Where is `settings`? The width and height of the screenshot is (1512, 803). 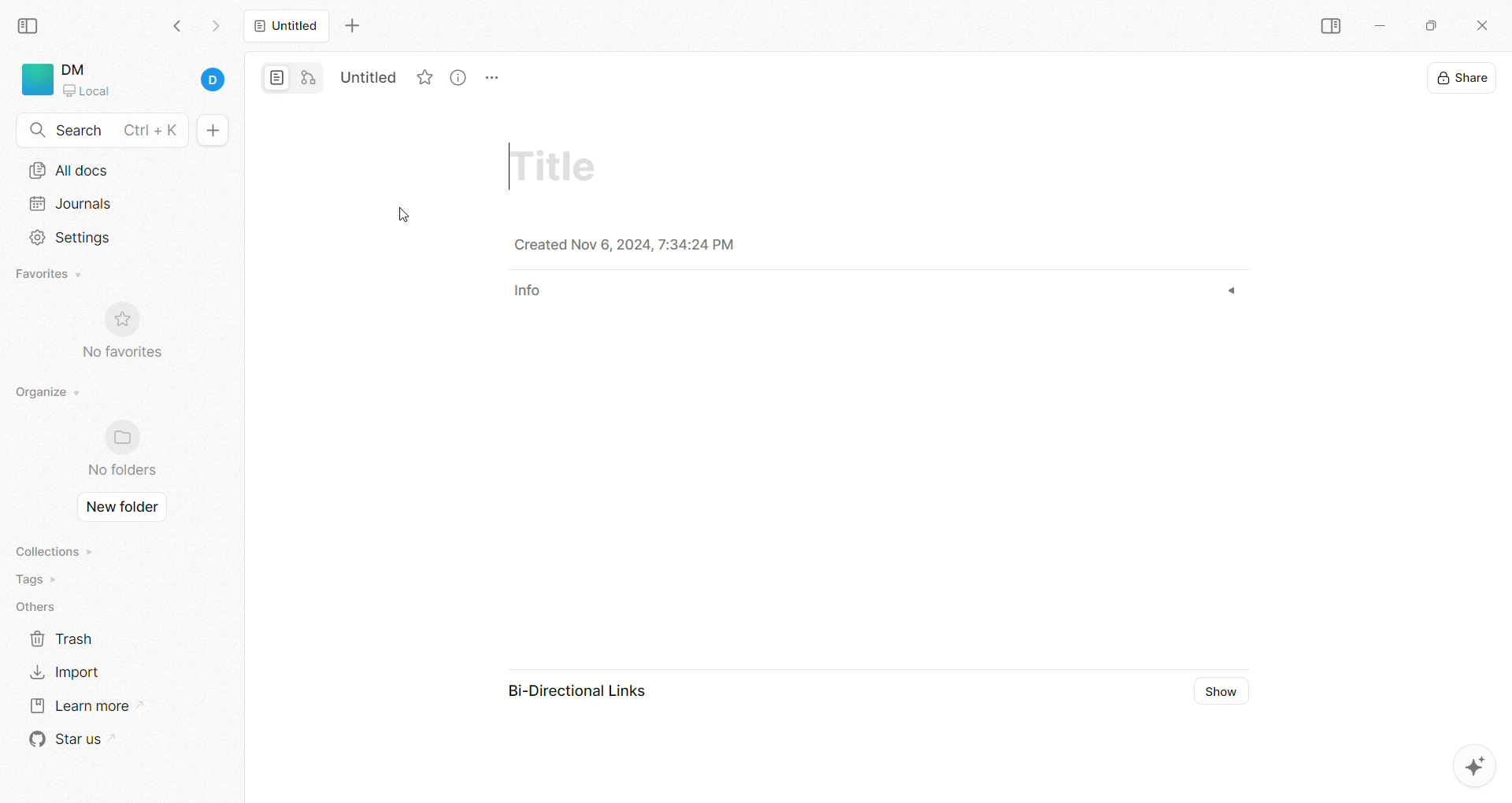
settings is located at coordinates (65, 238).